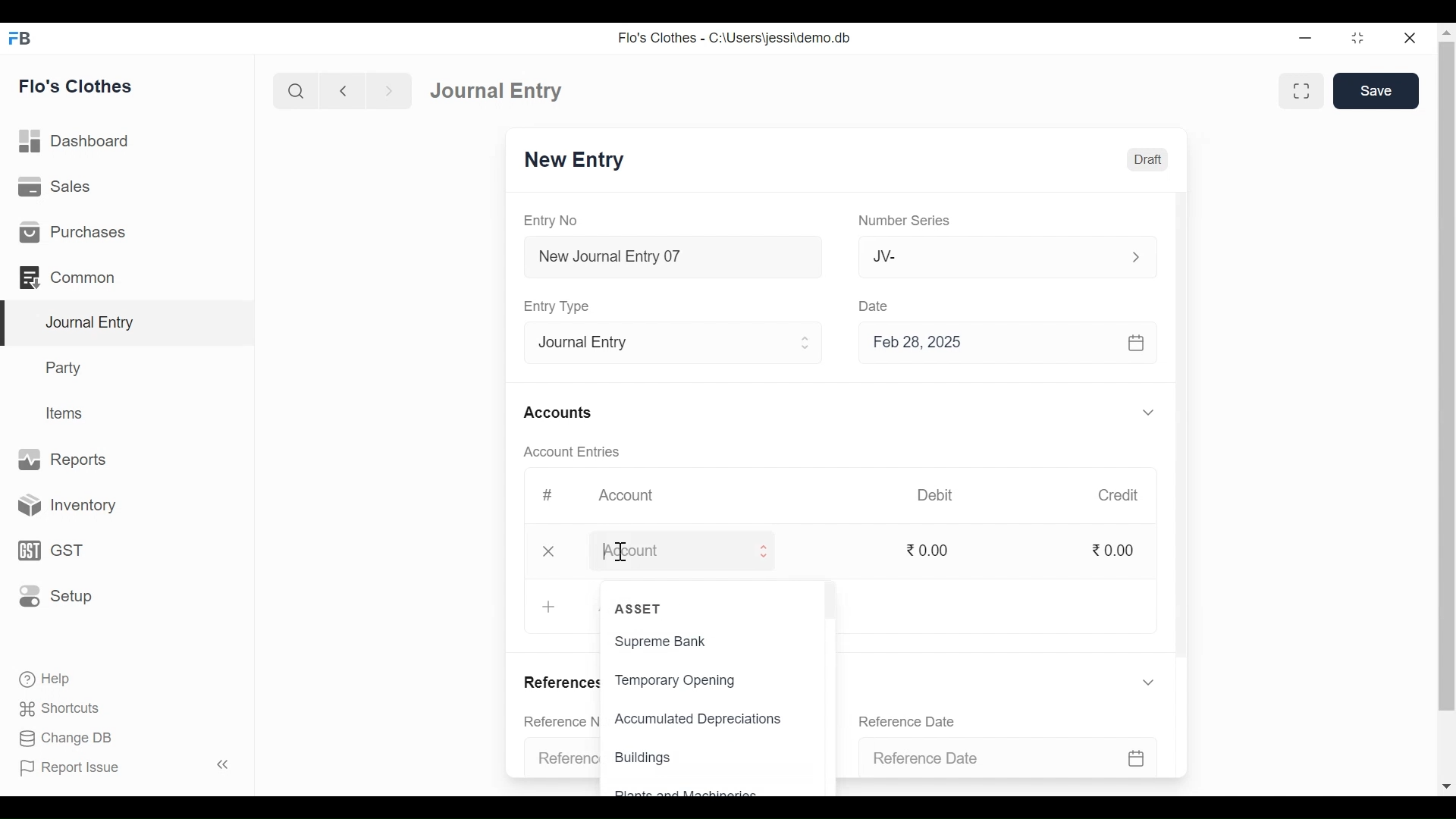  I want to click on Flo's Clothes - C:\Users\jessi\demo.db, so click(731, 38).